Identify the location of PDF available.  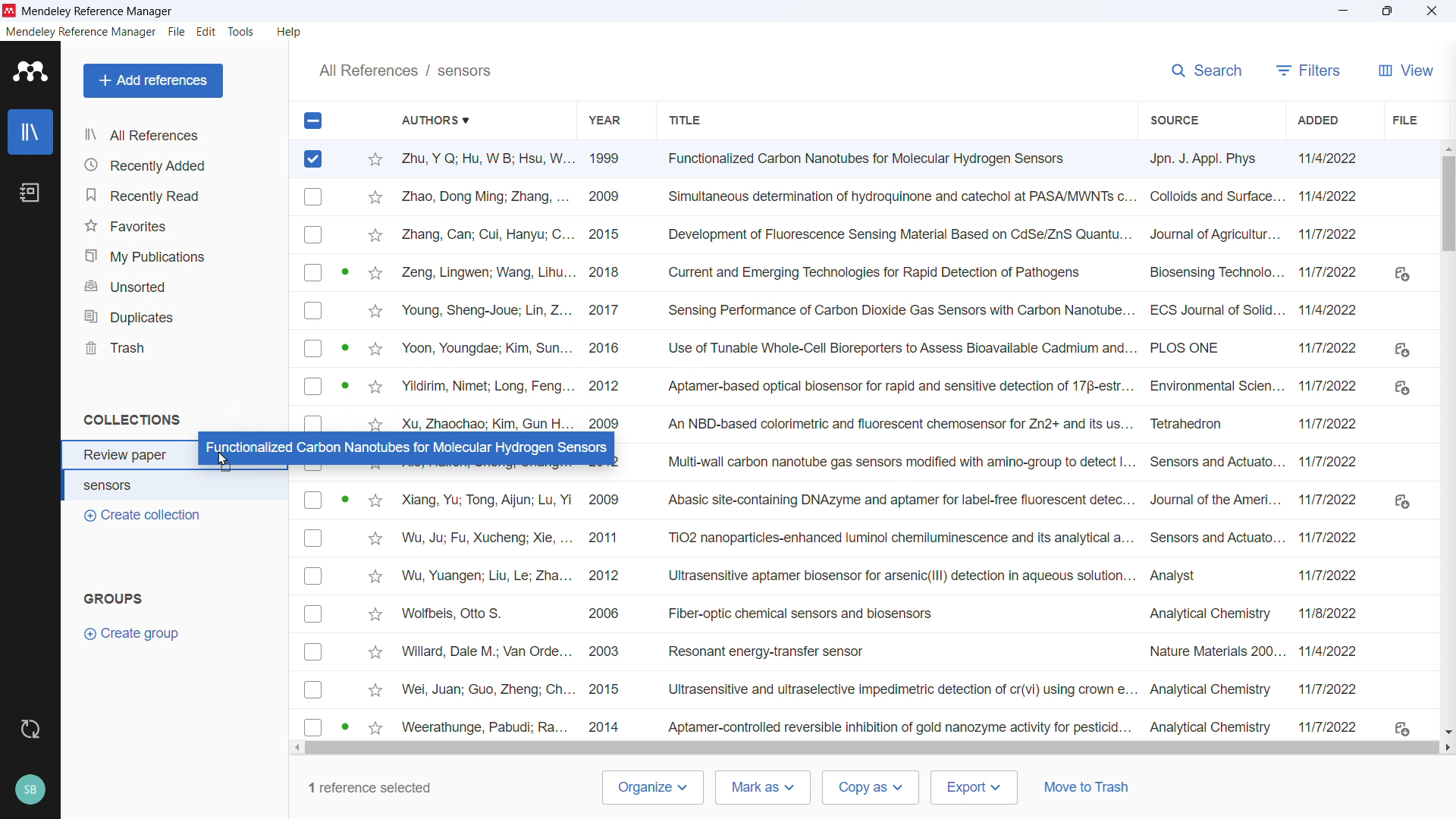
(344, 346).